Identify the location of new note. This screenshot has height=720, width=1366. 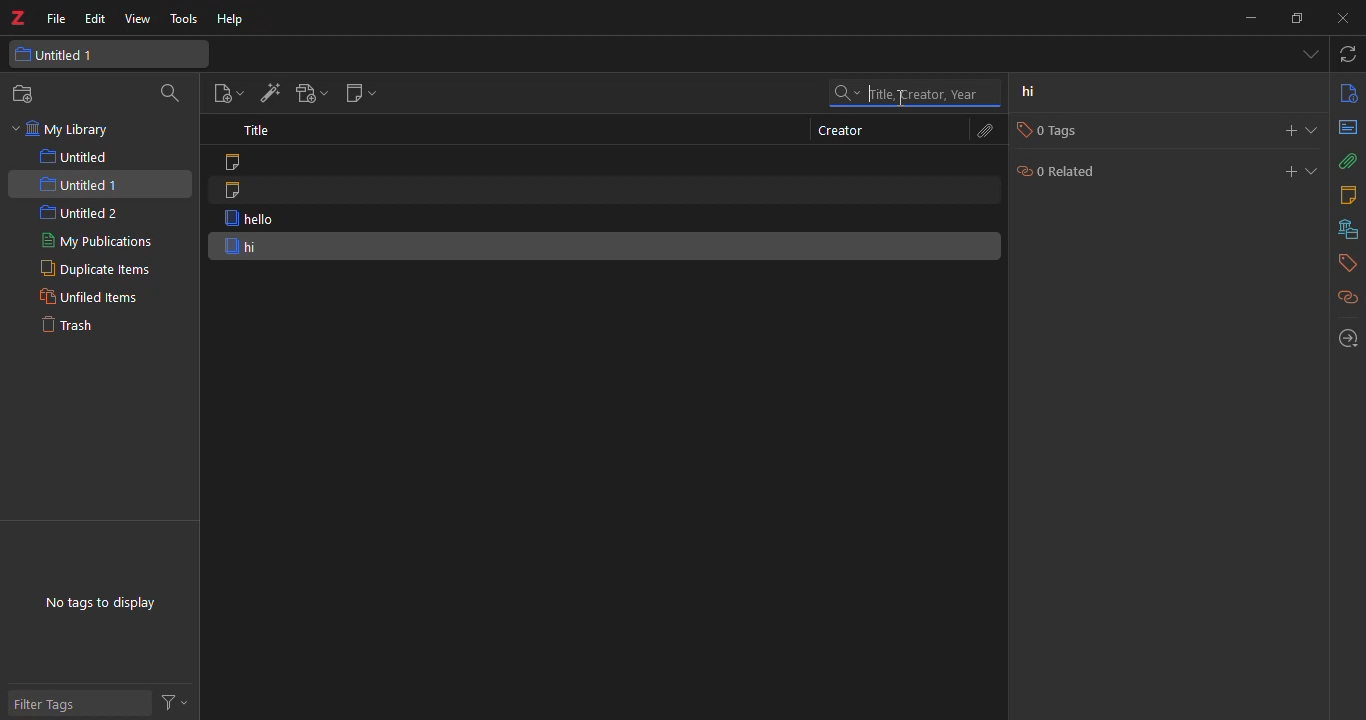
(360, 93).